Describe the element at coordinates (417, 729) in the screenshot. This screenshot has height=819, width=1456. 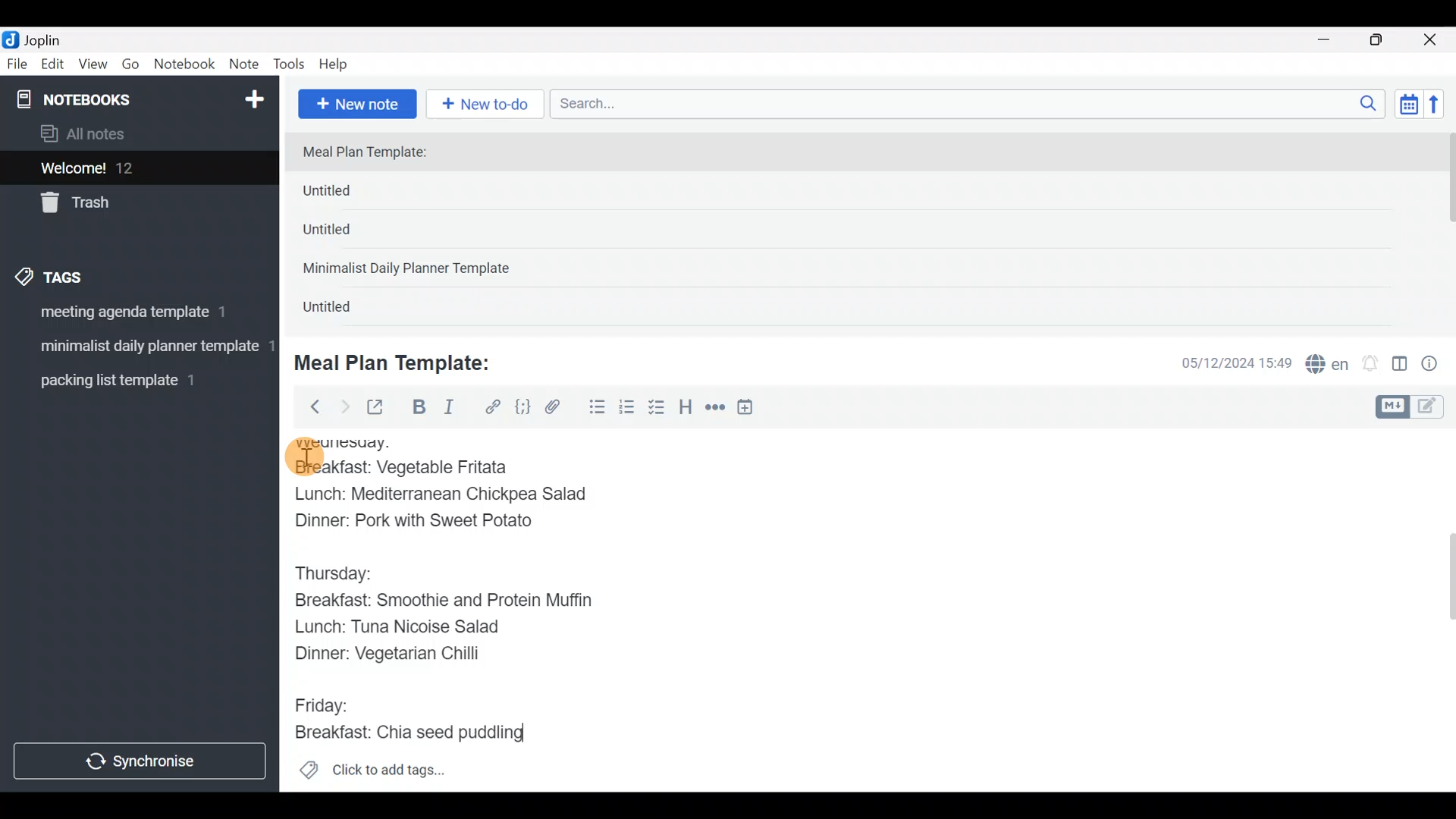
I see `Breakfast: Chia seed puddling` at that location.